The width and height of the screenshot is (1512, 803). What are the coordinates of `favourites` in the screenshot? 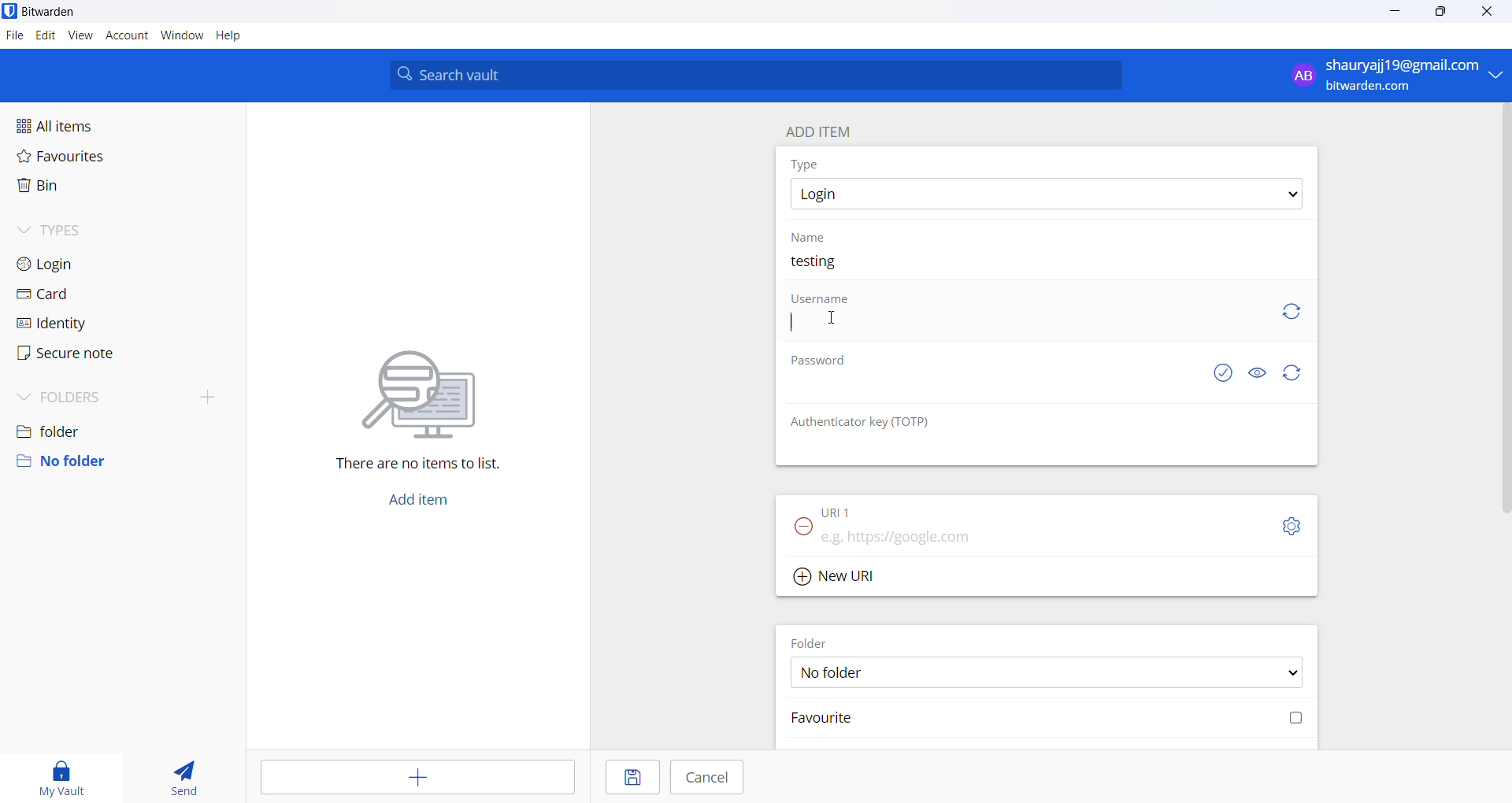 It's located at (89, 156).